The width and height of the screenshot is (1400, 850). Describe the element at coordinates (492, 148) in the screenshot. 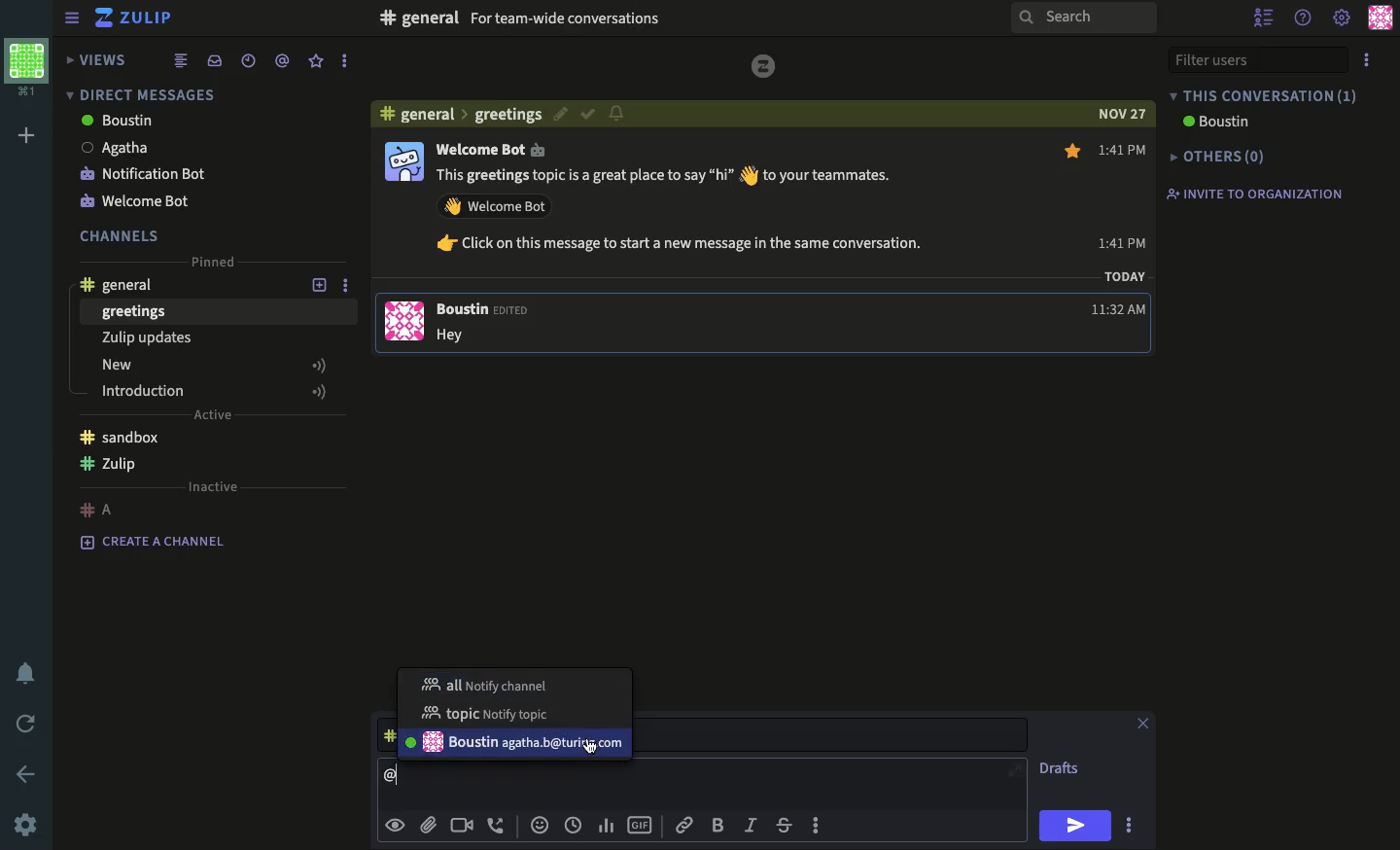

I see `Welcome Bot` at that location.